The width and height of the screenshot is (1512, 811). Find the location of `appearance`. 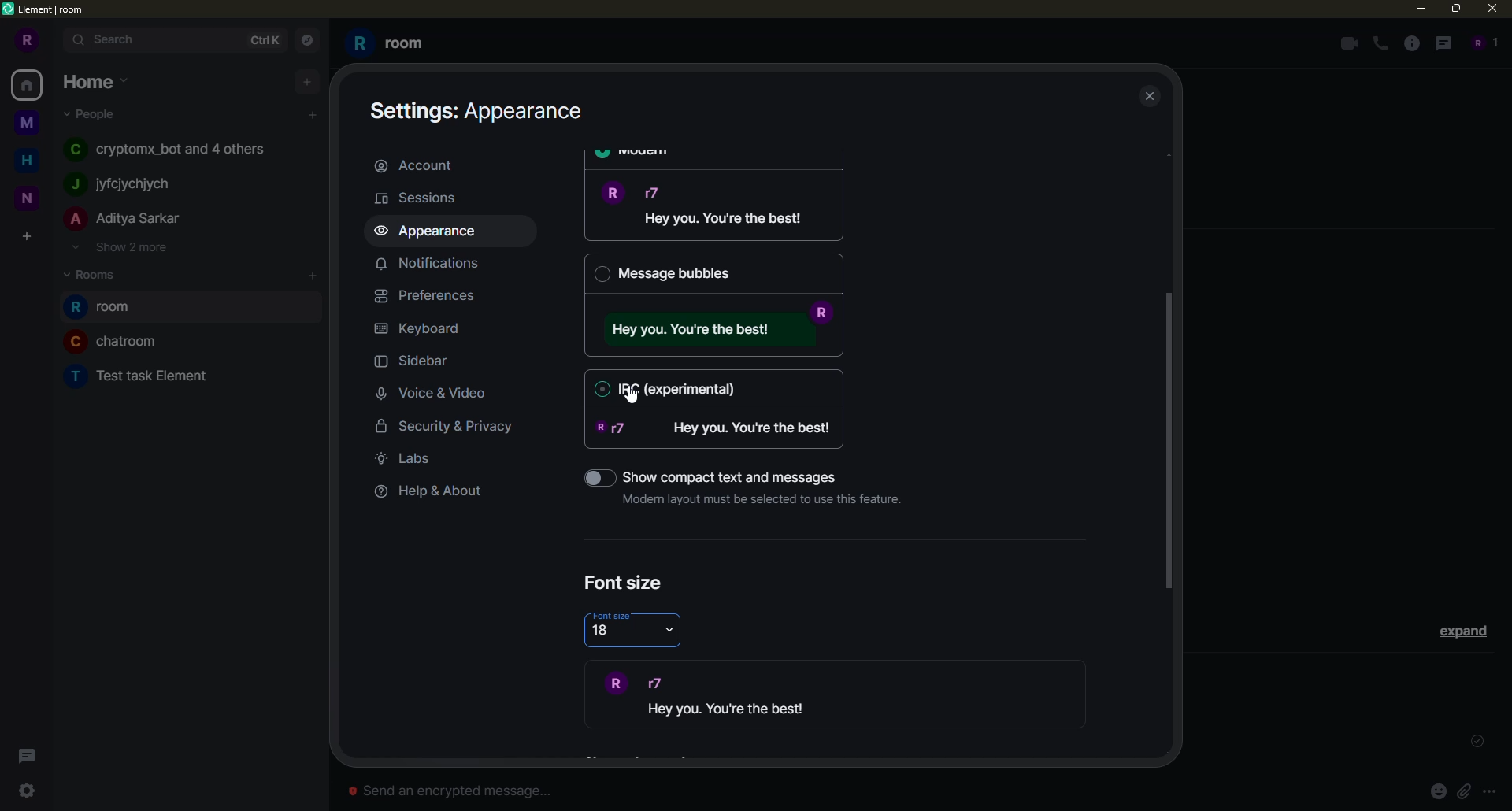

appearance is located at coordinates (469, 107).